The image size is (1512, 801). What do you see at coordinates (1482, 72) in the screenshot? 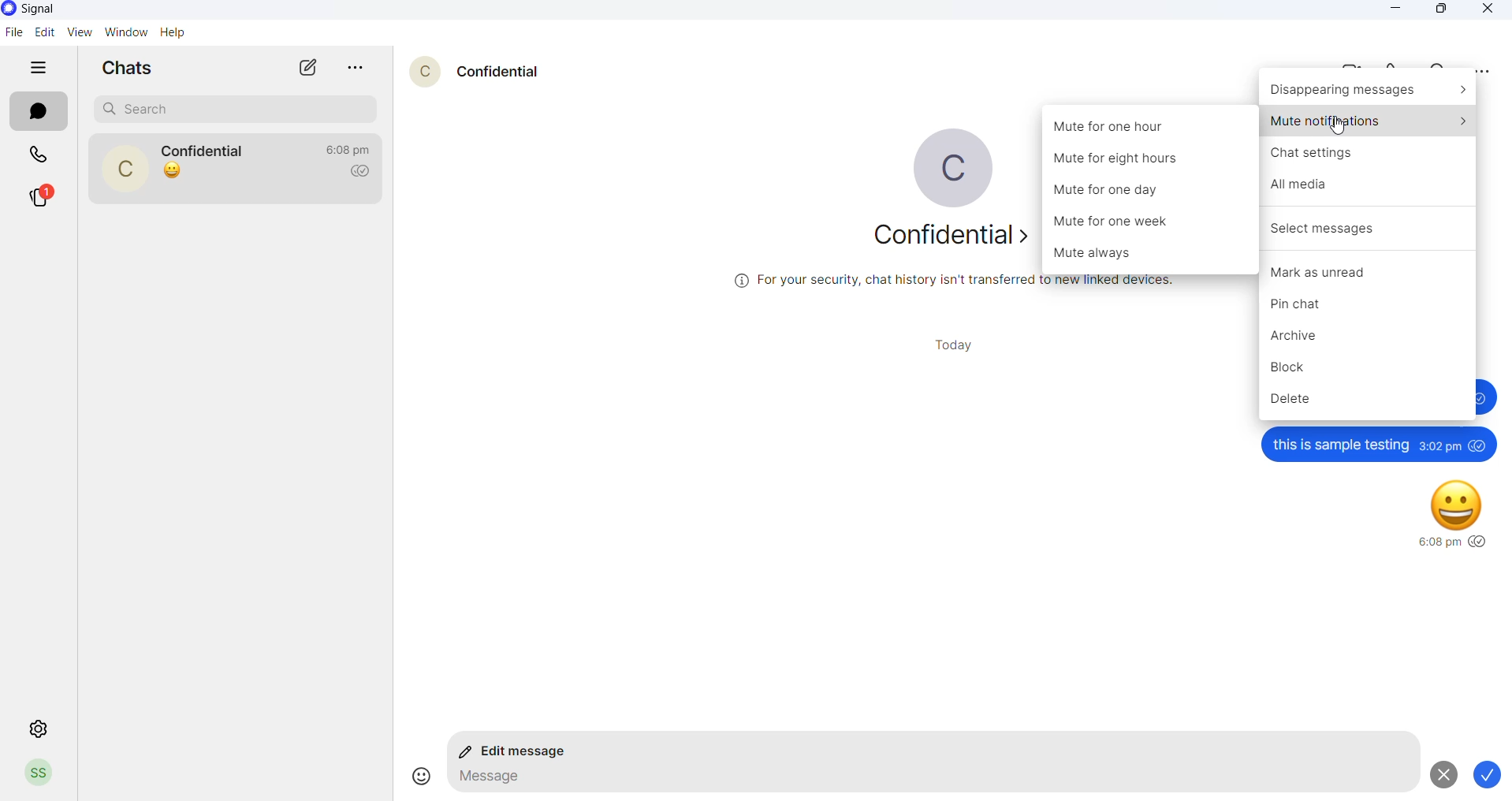
I see `more options` at bounding box center [1482, 72].